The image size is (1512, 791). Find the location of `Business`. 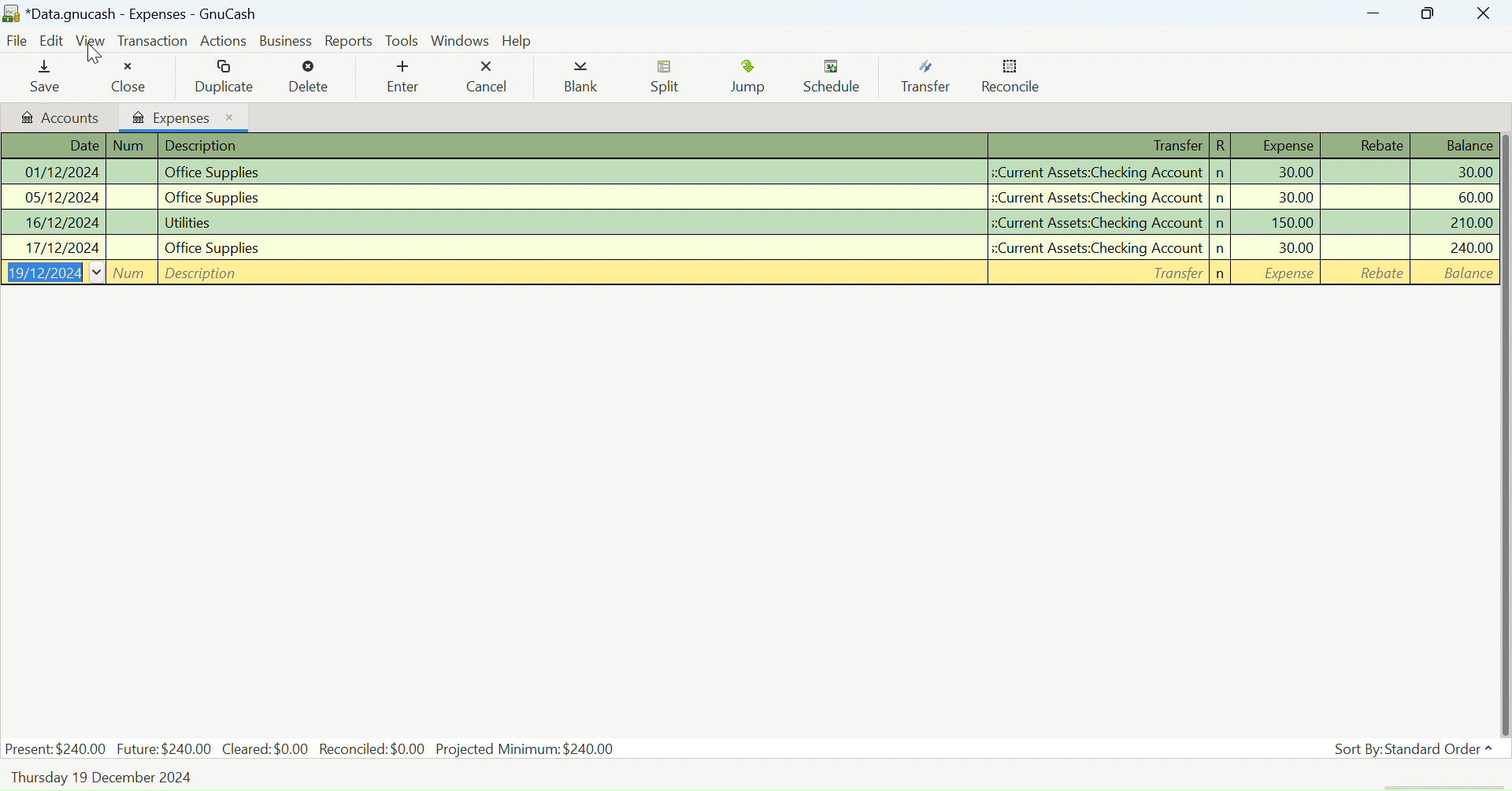

Business is located at coordinates (288, 41).